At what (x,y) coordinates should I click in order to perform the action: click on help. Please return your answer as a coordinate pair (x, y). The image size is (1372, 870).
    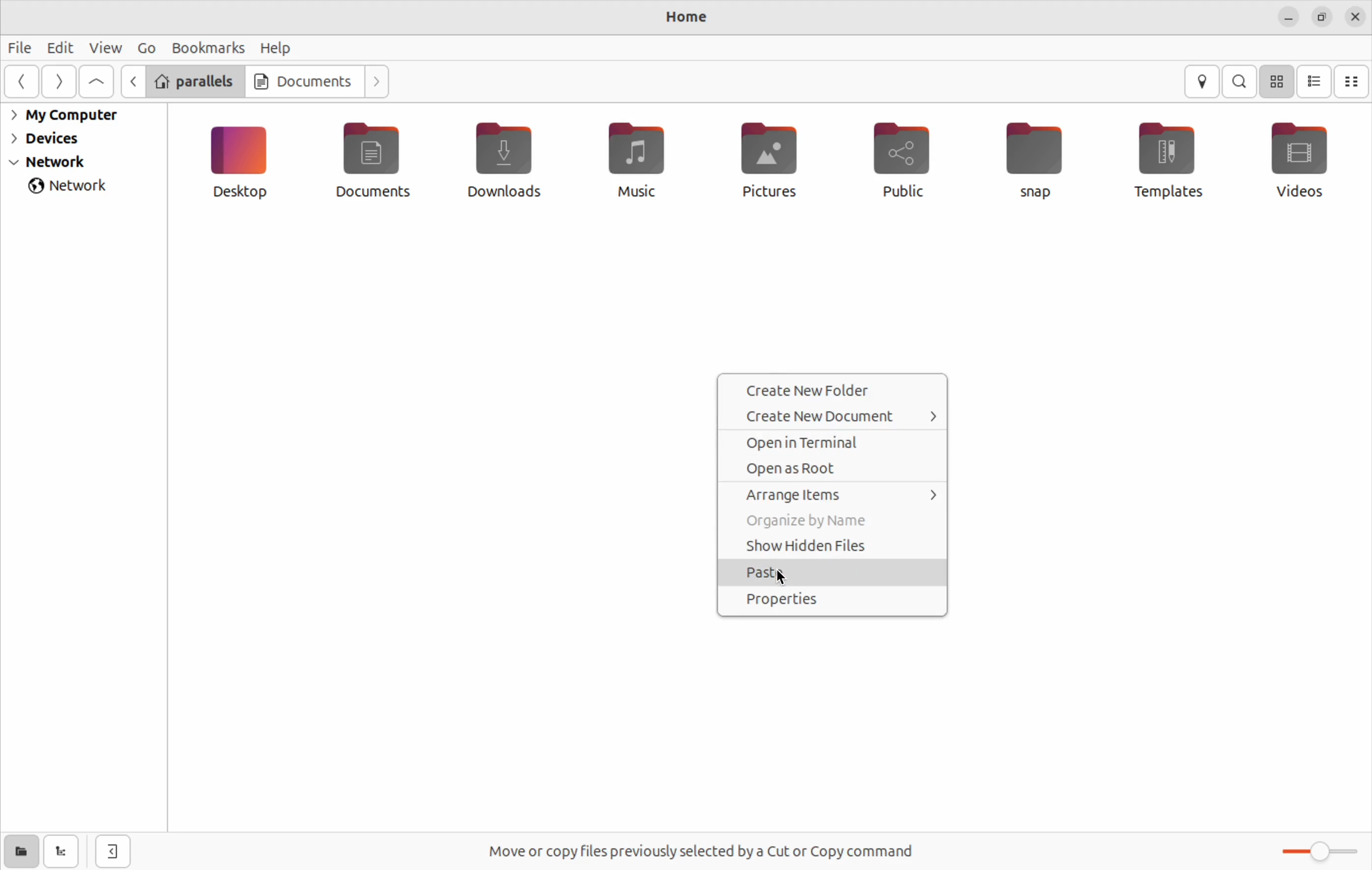
    Looking at the image, I should click on (275, 49).